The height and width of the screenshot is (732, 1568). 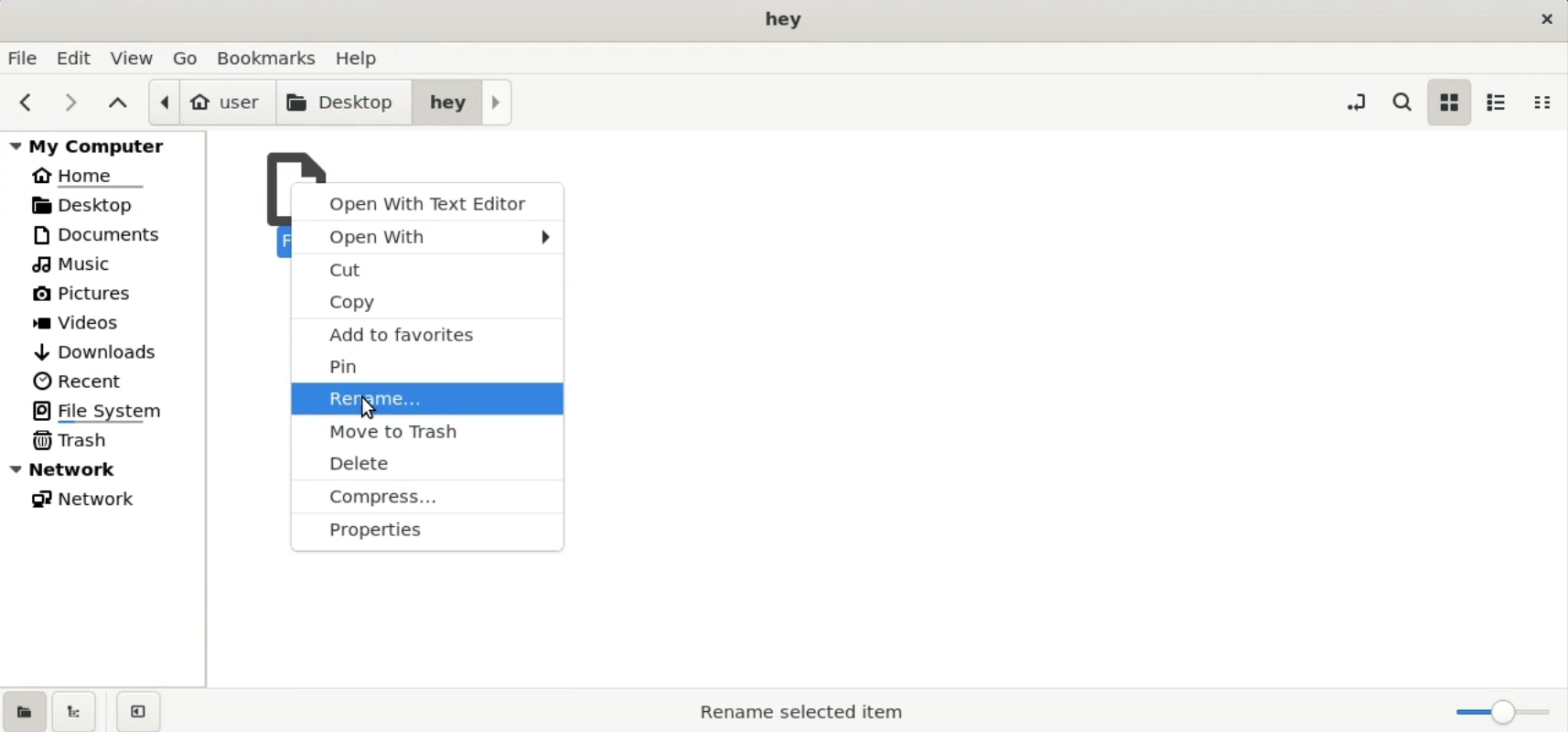 I want to click on rename, so click(x=428, y=397).